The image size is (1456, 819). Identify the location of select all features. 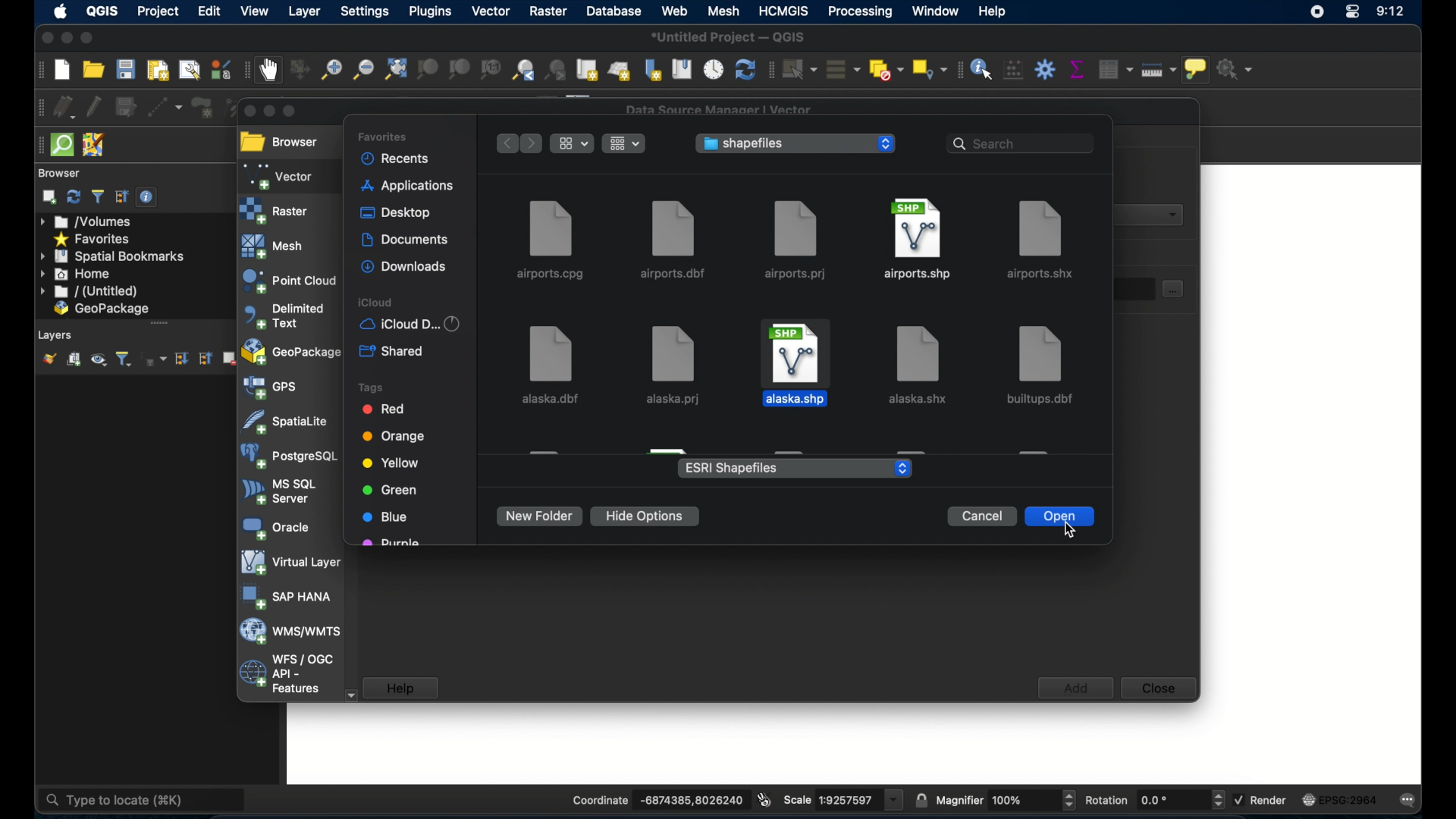
(844, 69).